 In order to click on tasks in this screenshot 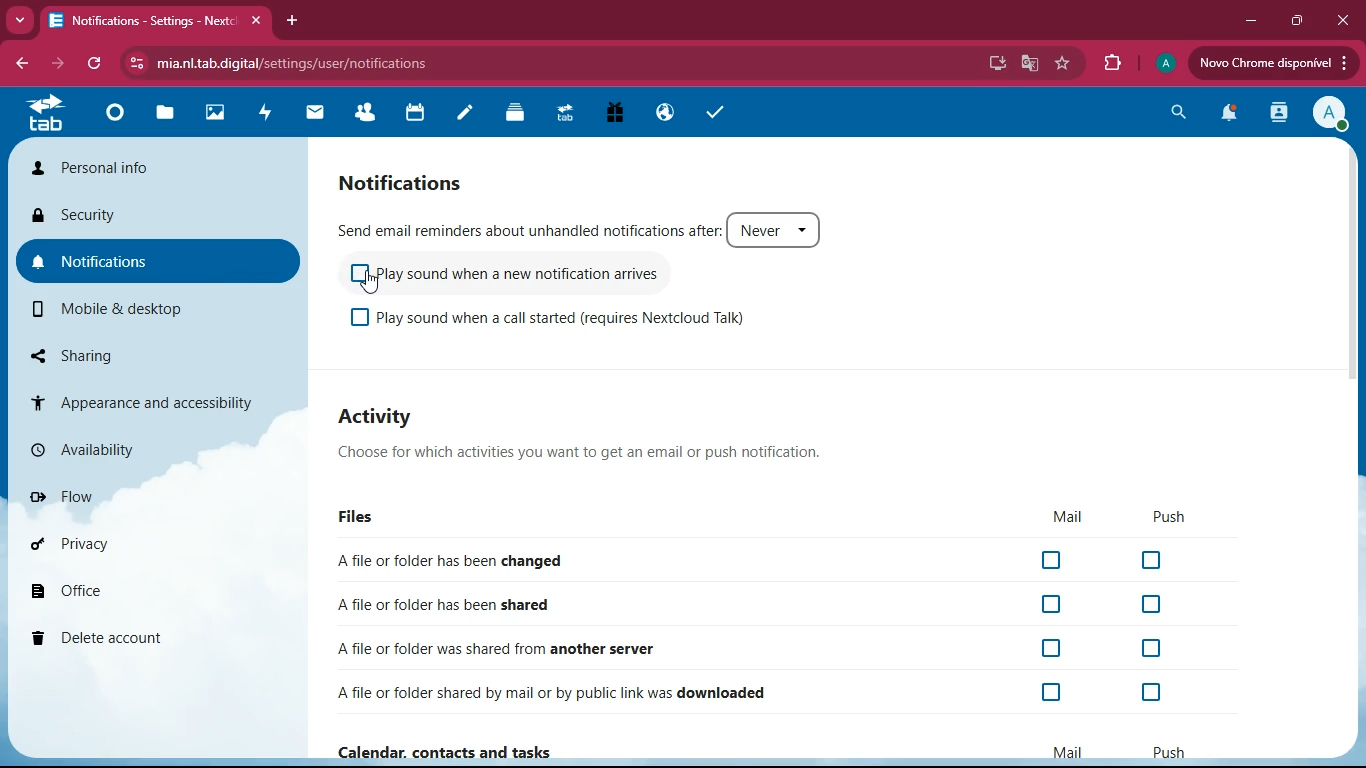, I will do `click(707, 112)`.